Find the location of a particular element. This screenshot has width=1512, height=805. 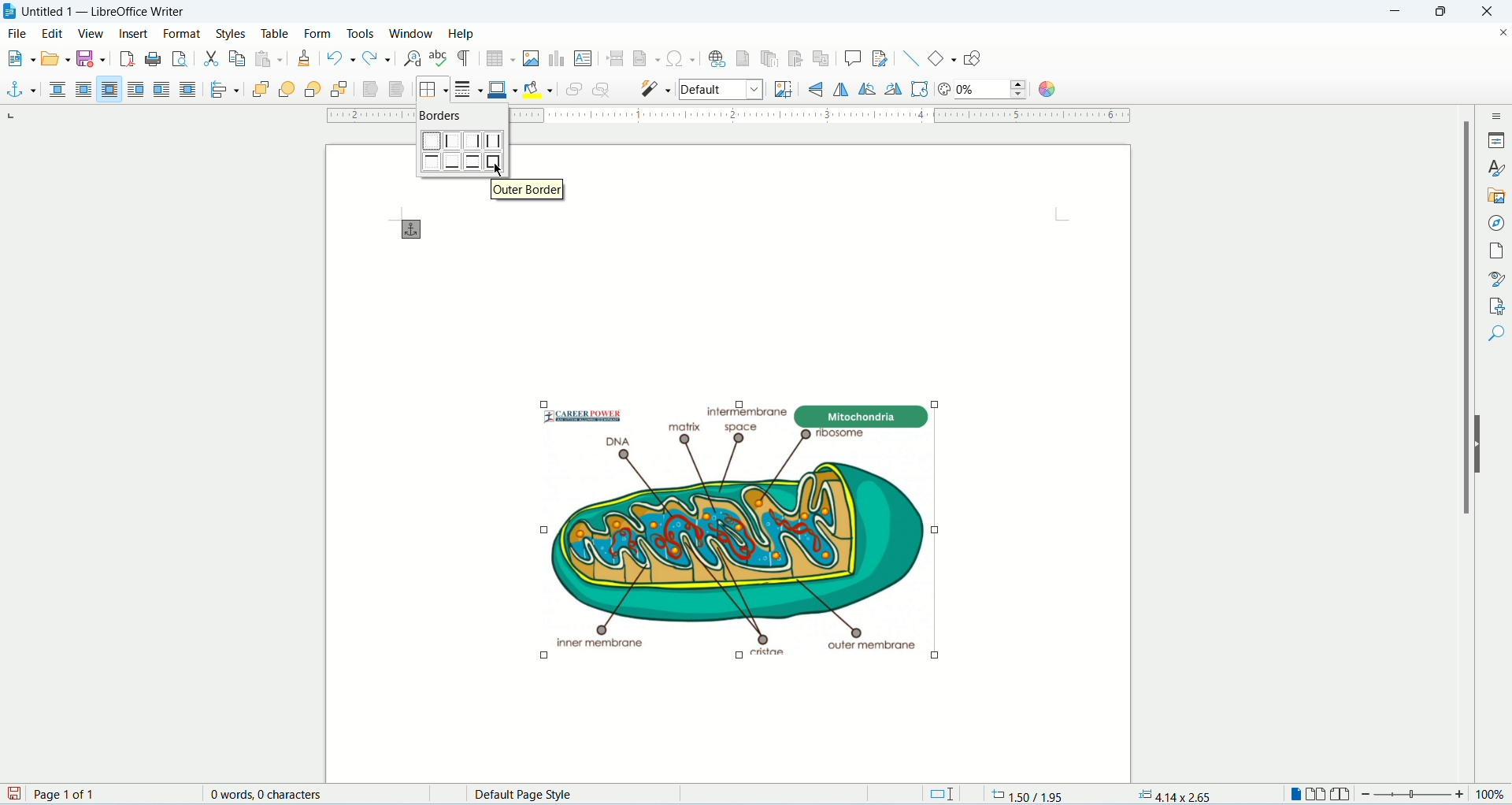

right border is located at coordinates (472, 140).